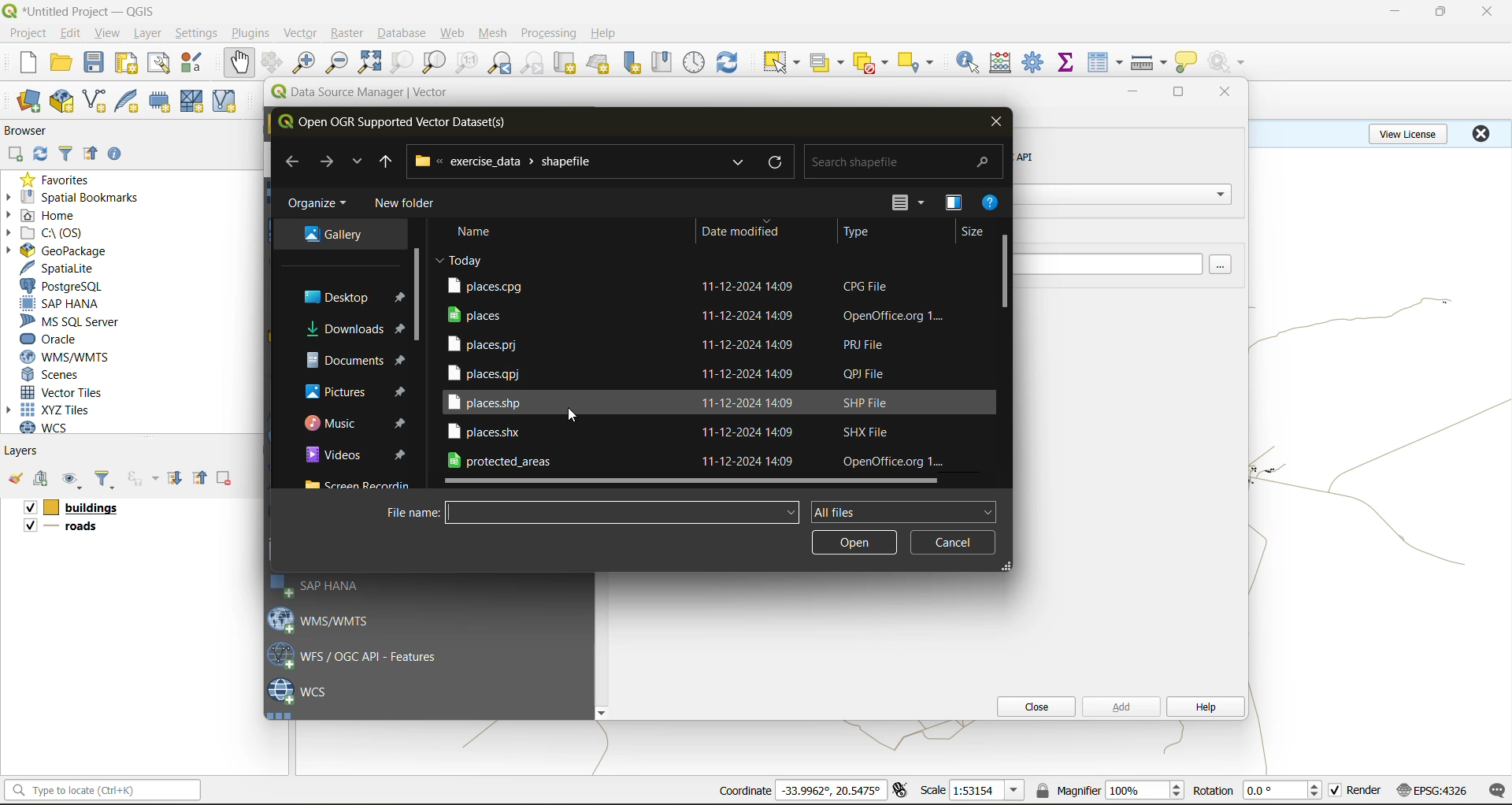 The width and height of the screenshot is (1512, 805). Describe the element at coordinates (667, 61) in the screenshot. I see `show spatial bookmark` at that location.